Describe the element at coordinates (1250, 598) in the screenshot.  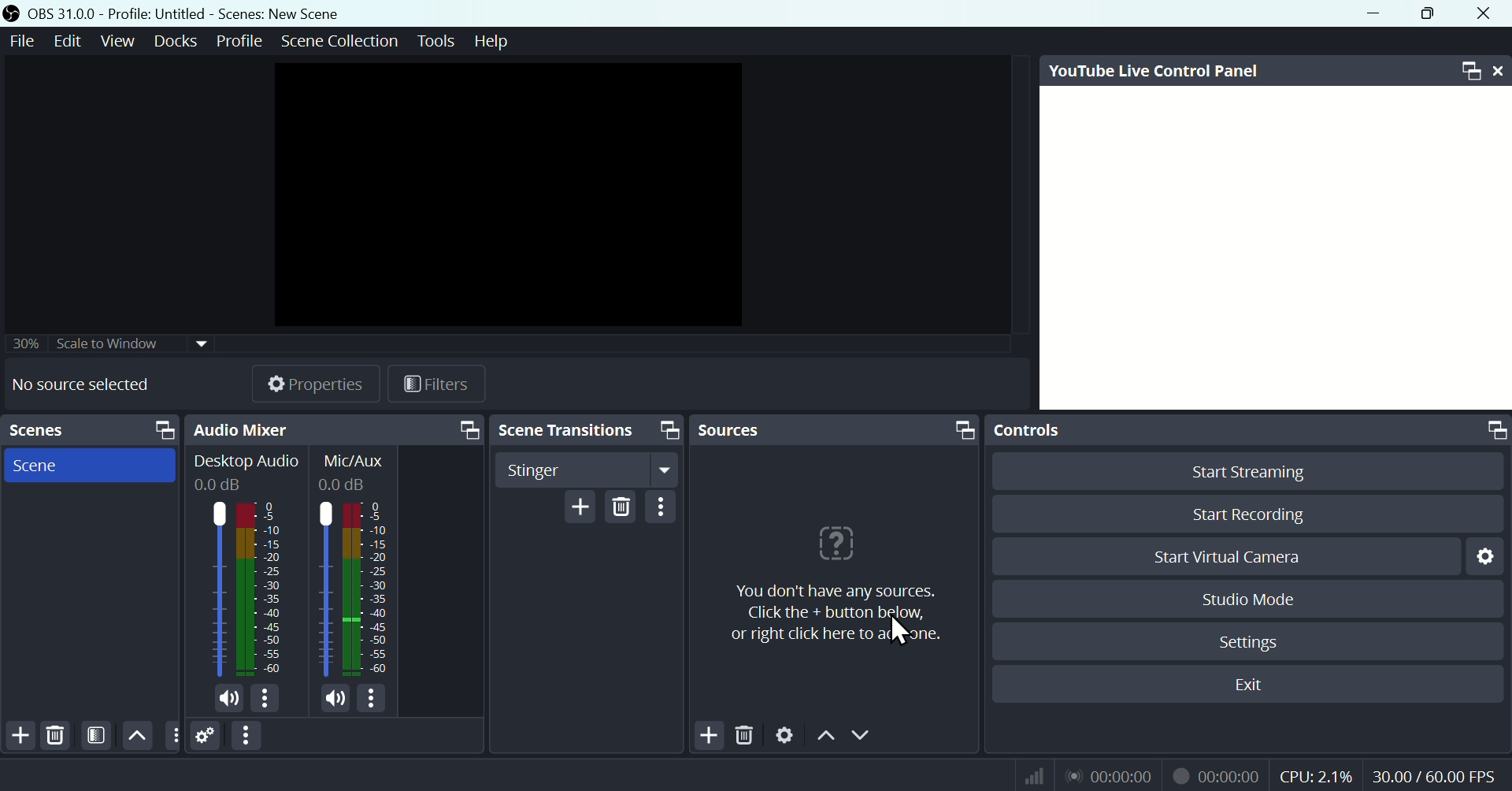
I see `Studio Mode` at that location.